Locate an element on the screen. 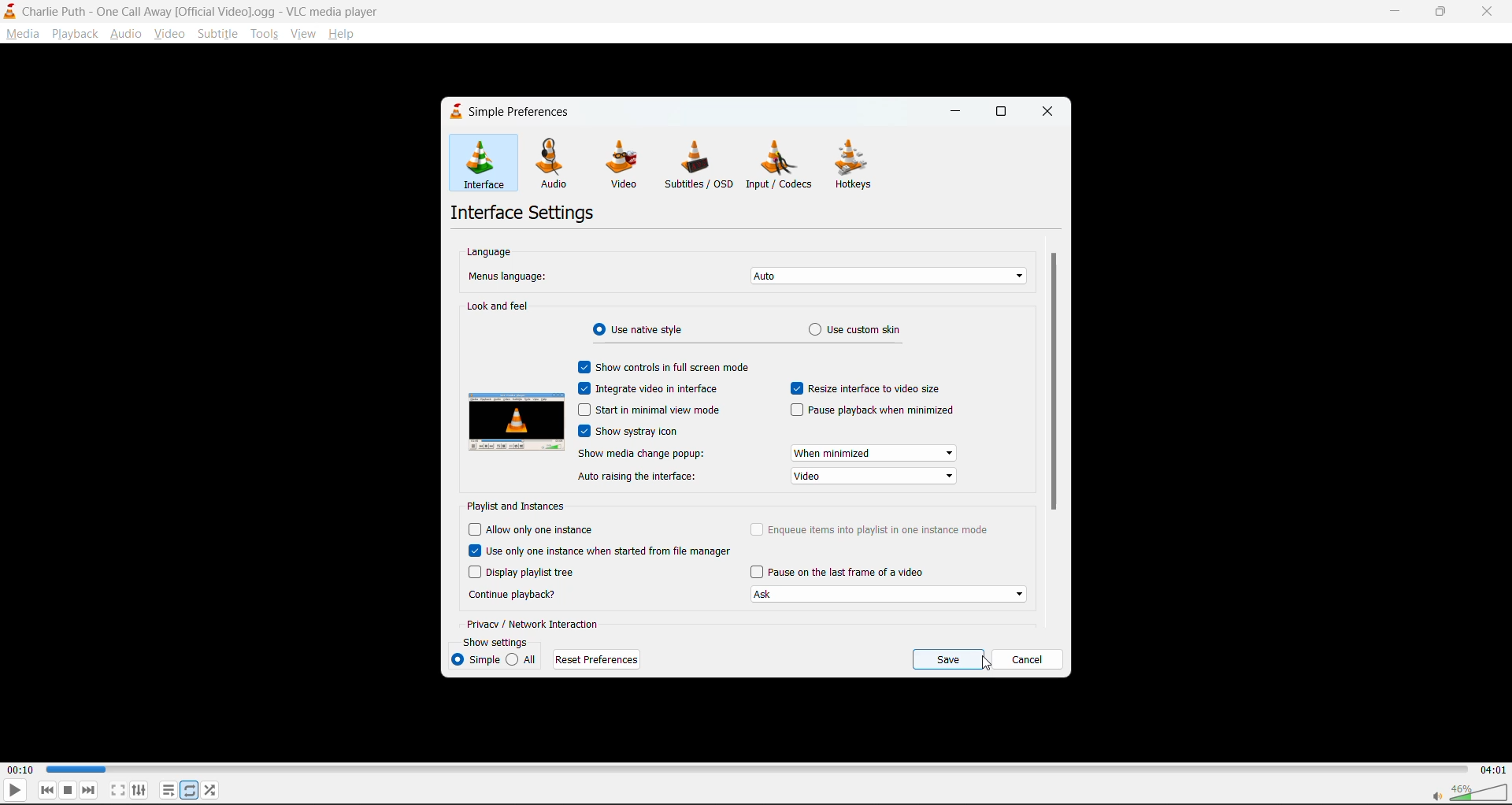 The width and height of the screenshot is (1512, 805). integrate video in interface is located at coordinates (667, 387).